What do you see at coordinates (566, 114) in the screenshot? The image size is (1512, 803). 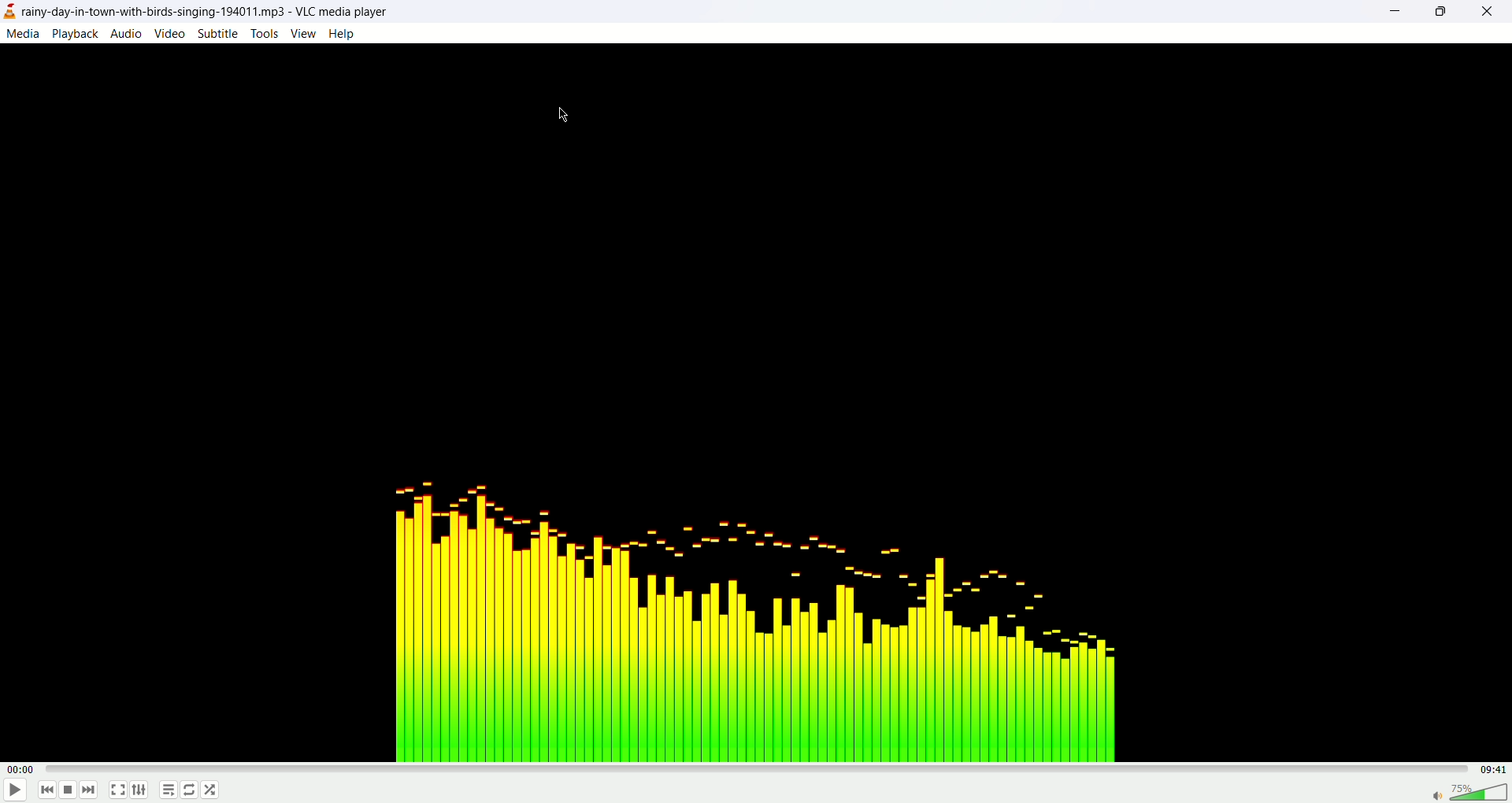 I see `cursor` at bounding box center [566, 114].